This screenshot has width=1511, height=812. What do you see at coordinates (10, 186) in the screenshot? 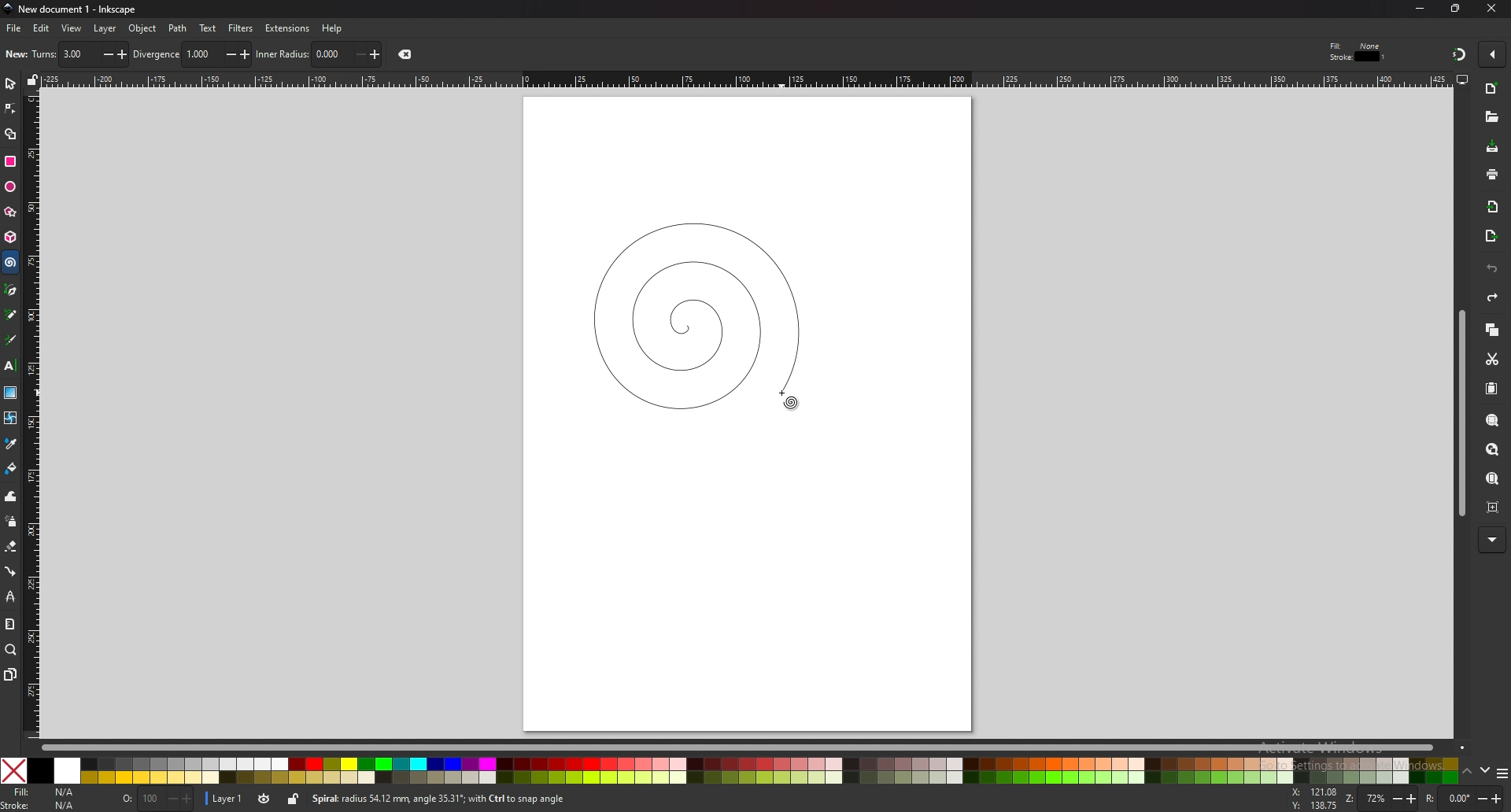
I see `ellipse` at bounding box center [10, 186].